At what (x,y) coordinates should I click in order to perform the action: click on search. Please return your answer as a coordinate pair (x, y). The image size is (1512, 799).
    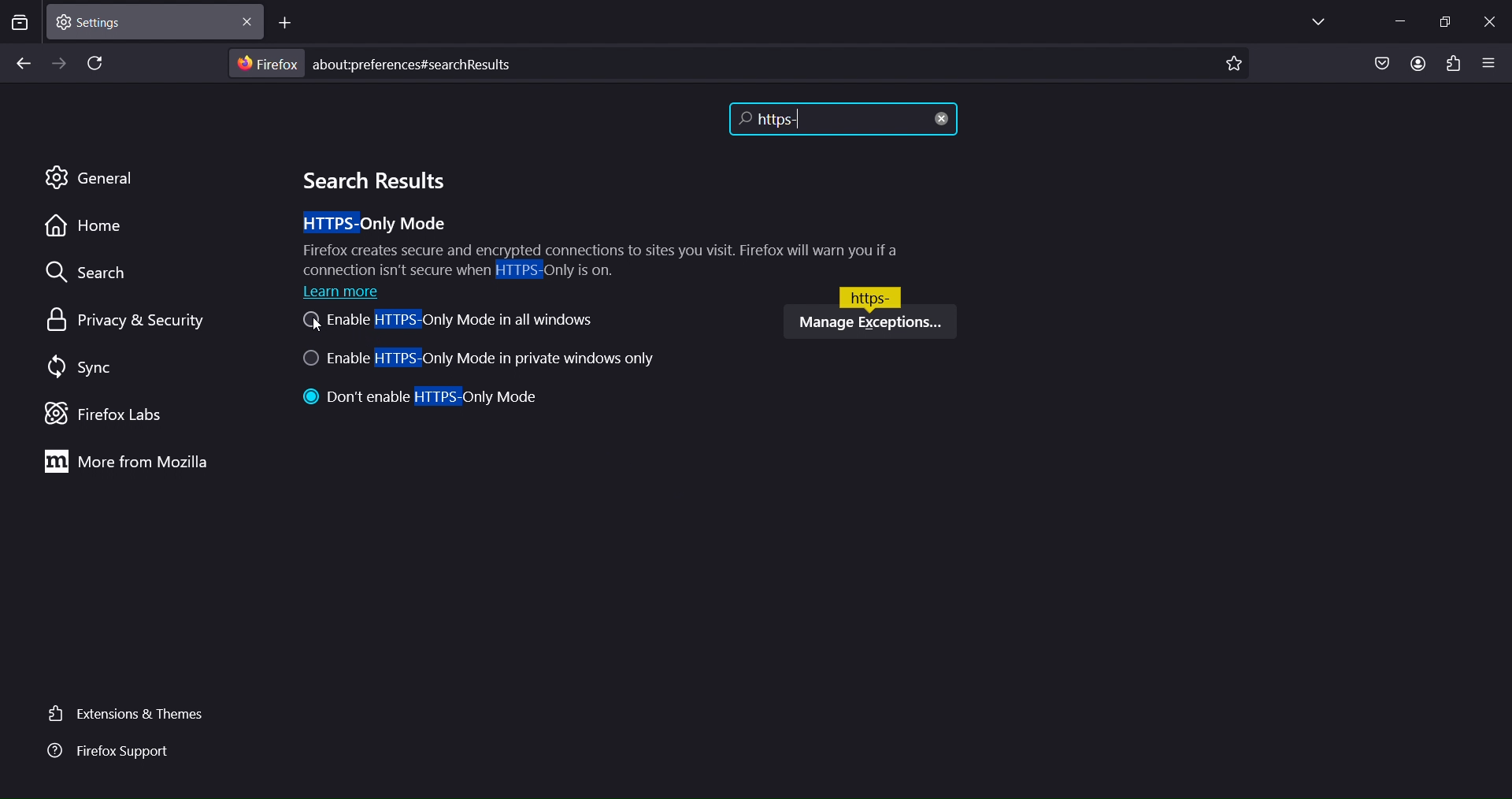
    Looking at the image, I should click on (94, 272).